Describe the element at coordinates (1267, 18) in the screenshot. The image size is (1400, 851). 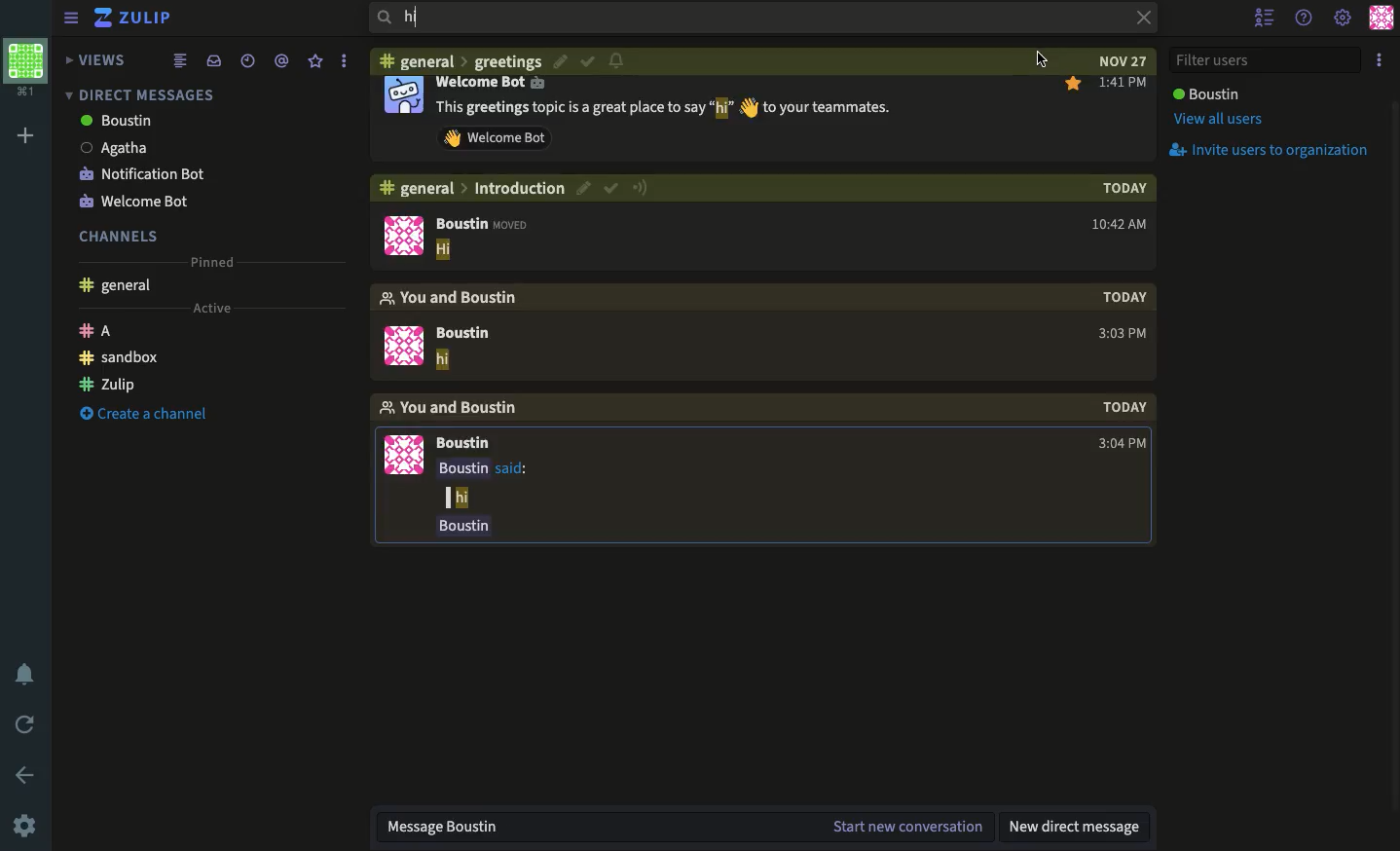
I see `Hide users list` at that location.